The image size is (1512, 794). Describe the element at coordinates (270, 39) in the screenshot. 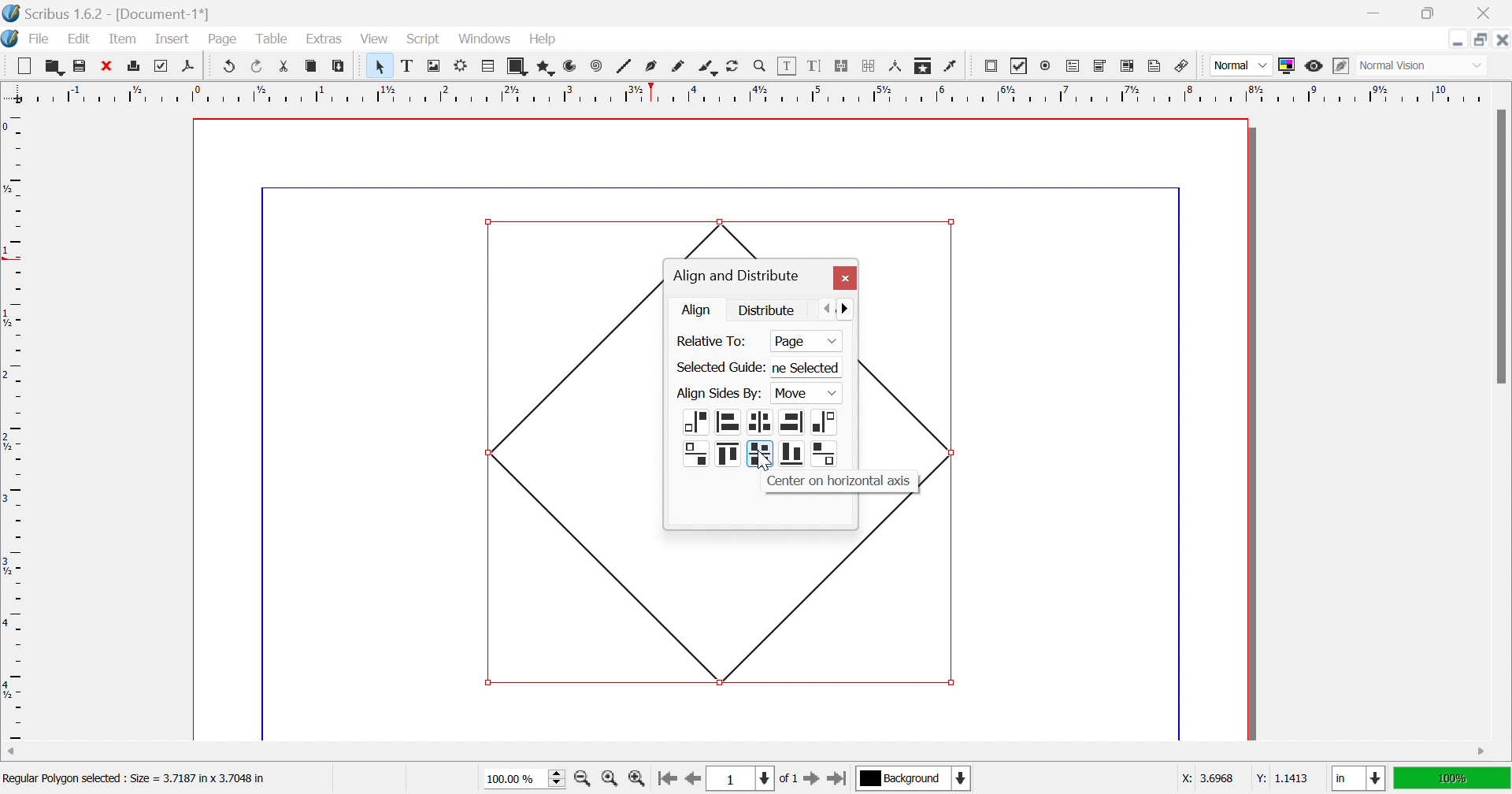

I see `Table` at that location.